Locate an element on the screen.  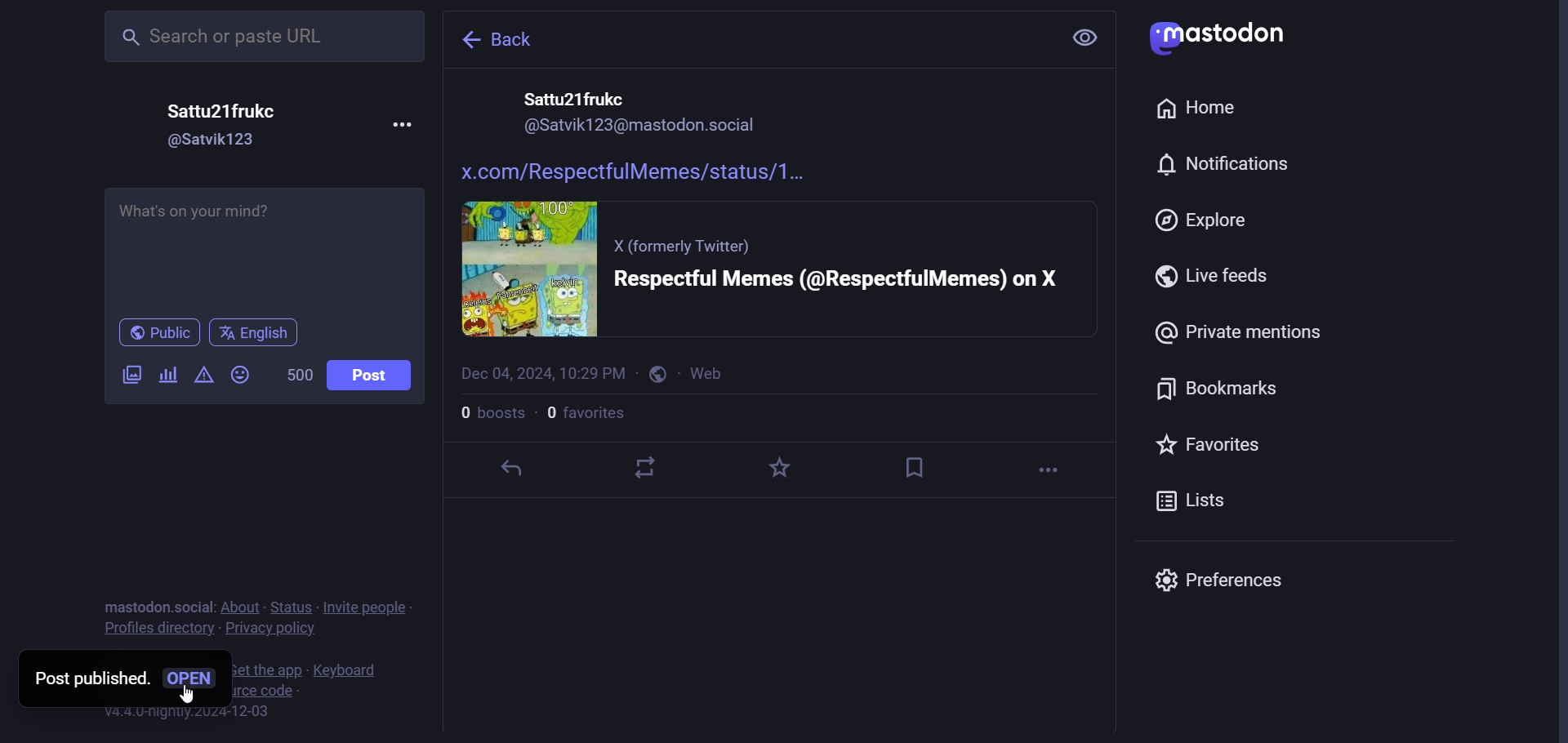
@Satvik123 is located at coordinates (221, 144).